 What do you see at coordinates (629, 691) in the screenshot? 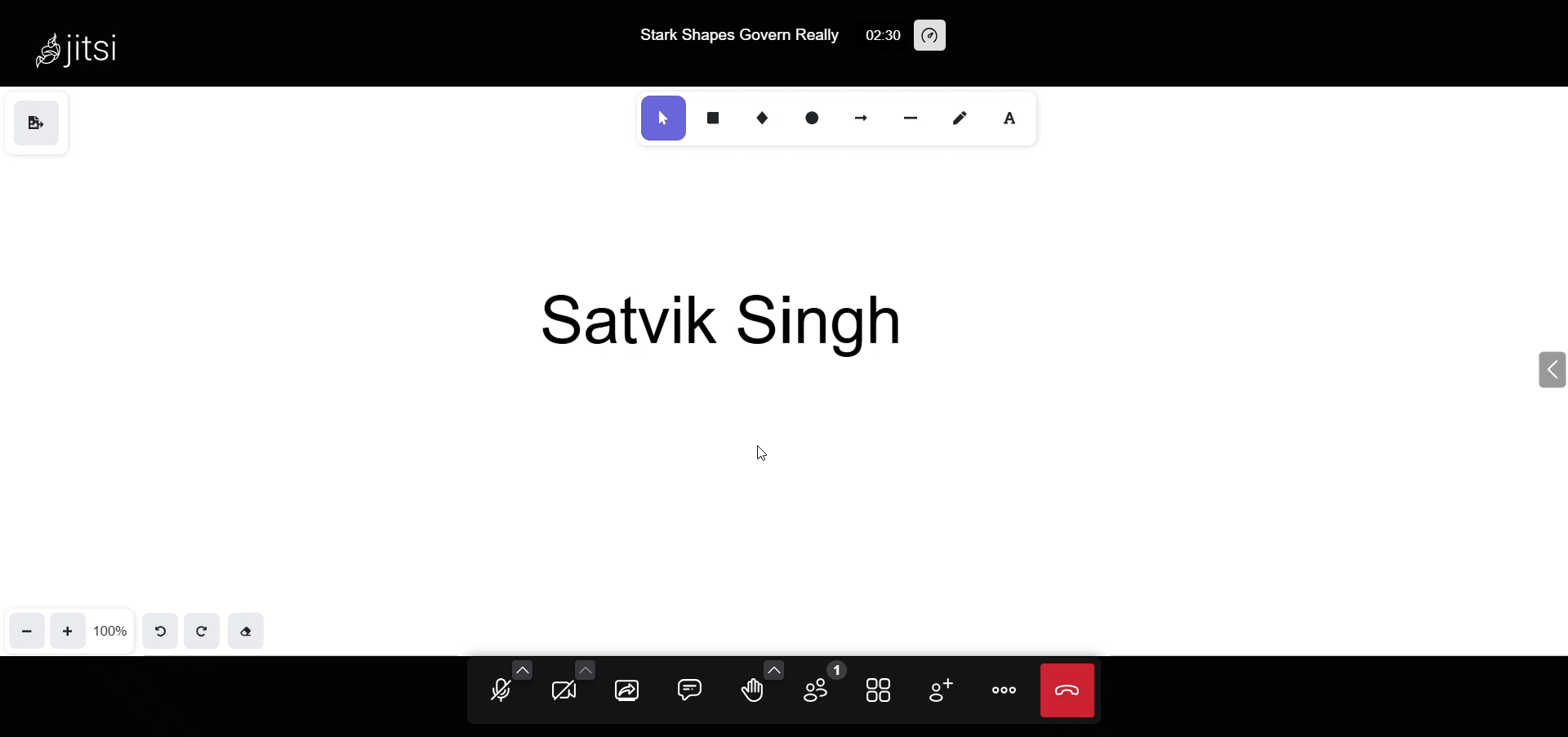
I see `screen share` at bounding box center [629, 691].